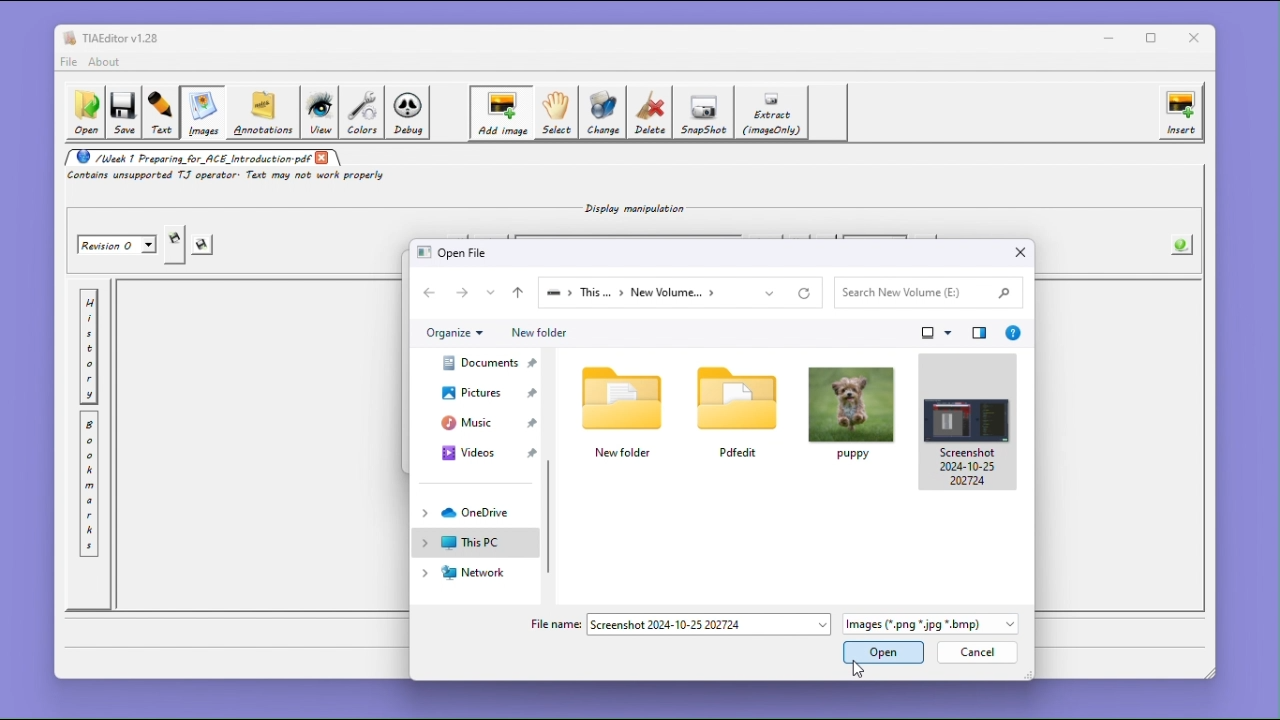  Describe the element at coordinates (500, 113) in the screenshot. I see `Add image` at that location.